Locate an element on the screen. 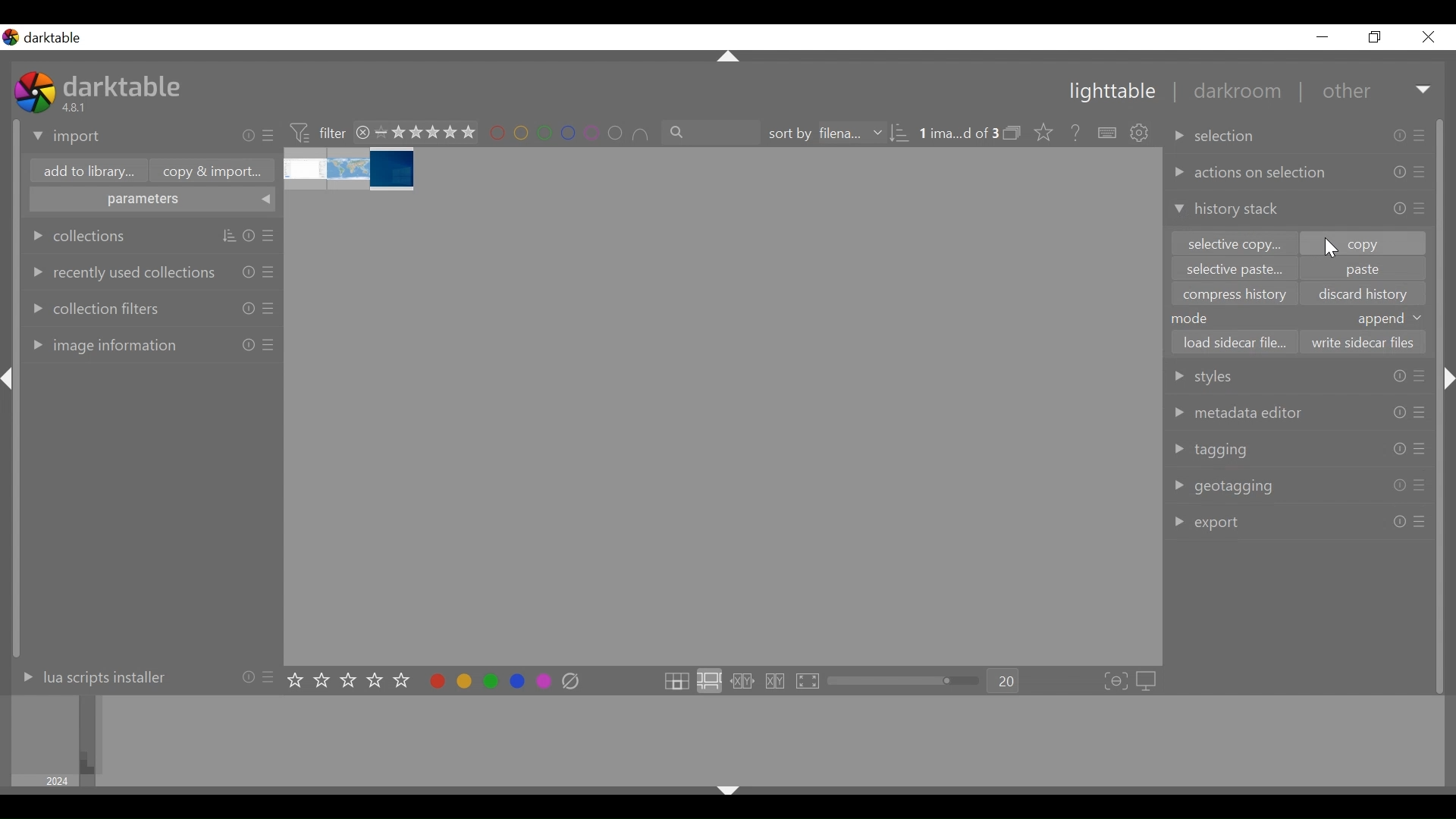 The height and width of the screenshot is (819, 1456). actions on selection is located at coordinates (1249, 173).